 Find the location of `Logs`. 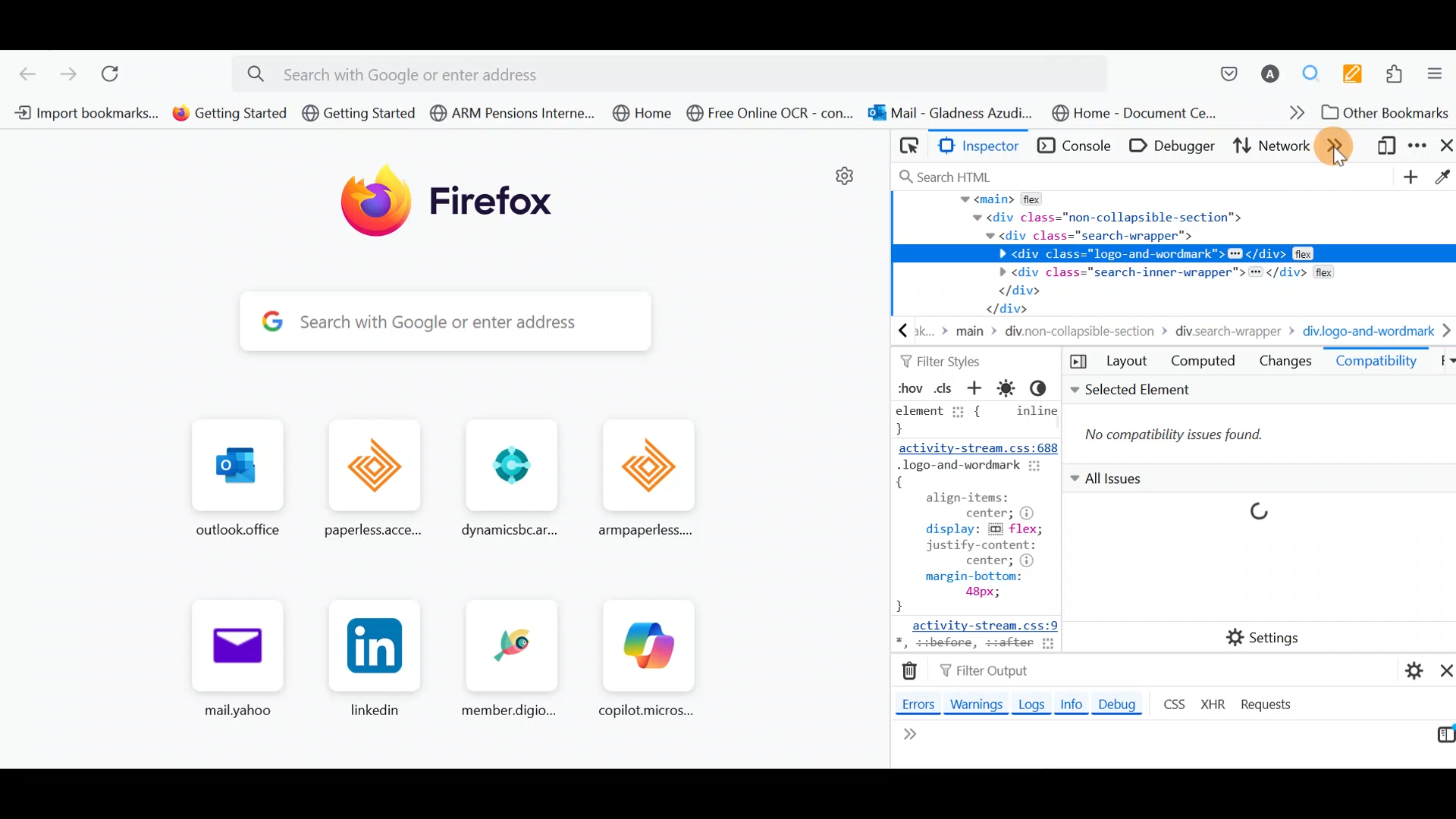

Logs is located at coordinates (1030, 704).